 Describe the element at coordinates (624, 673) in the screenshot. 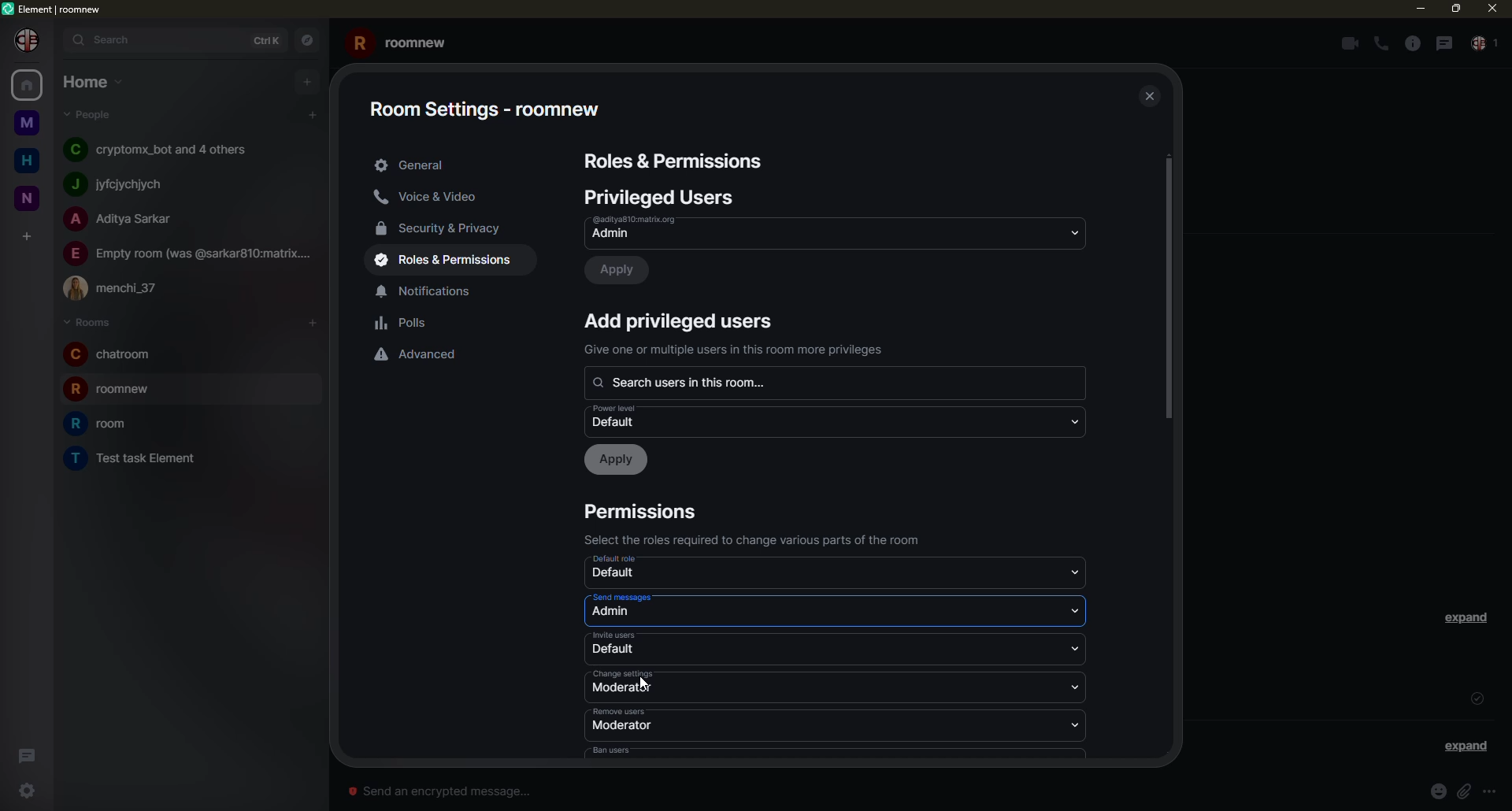

I see `change` at that location.